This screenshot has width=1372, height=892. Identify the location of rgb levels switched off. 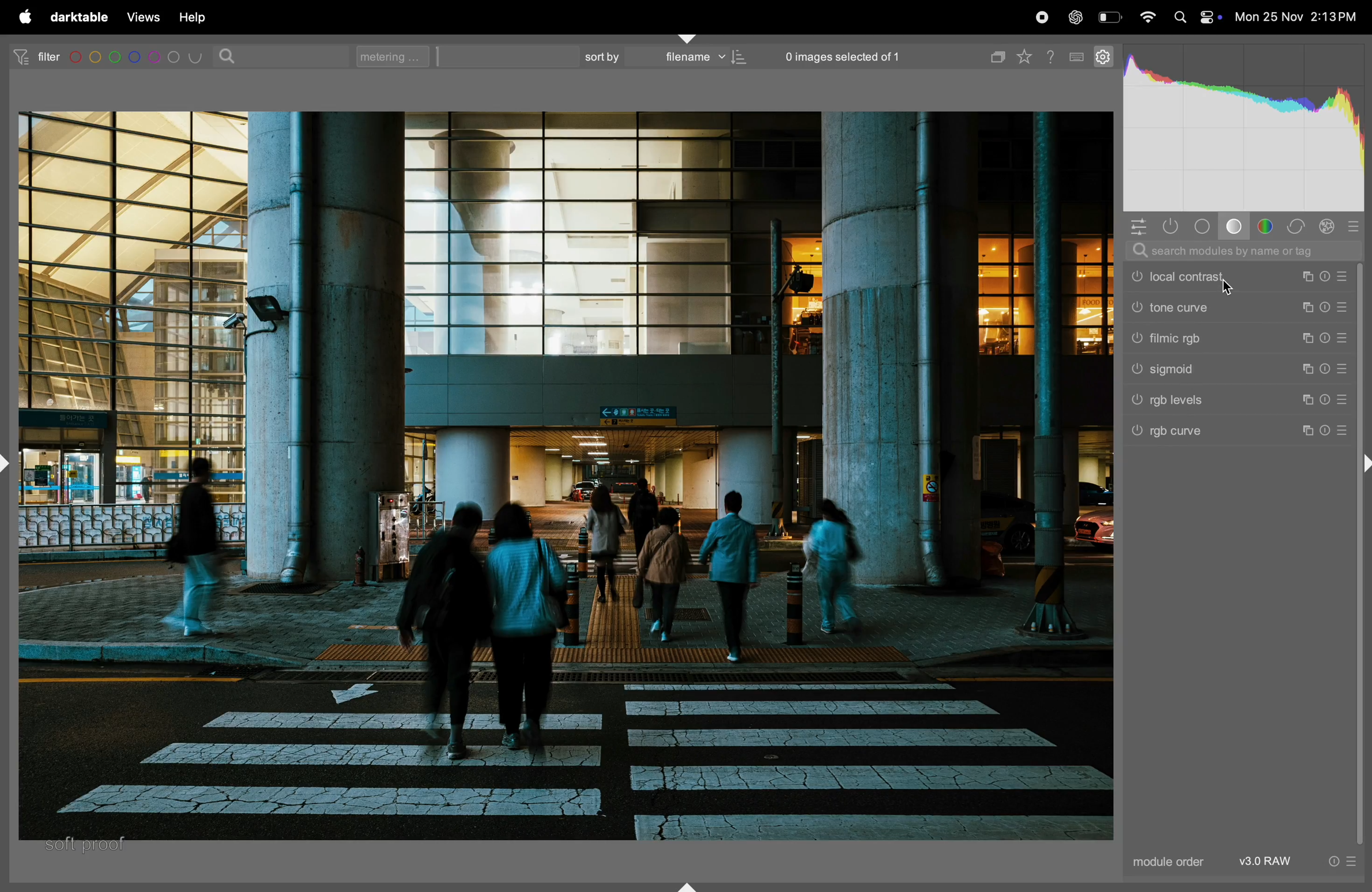
(1137, 399).